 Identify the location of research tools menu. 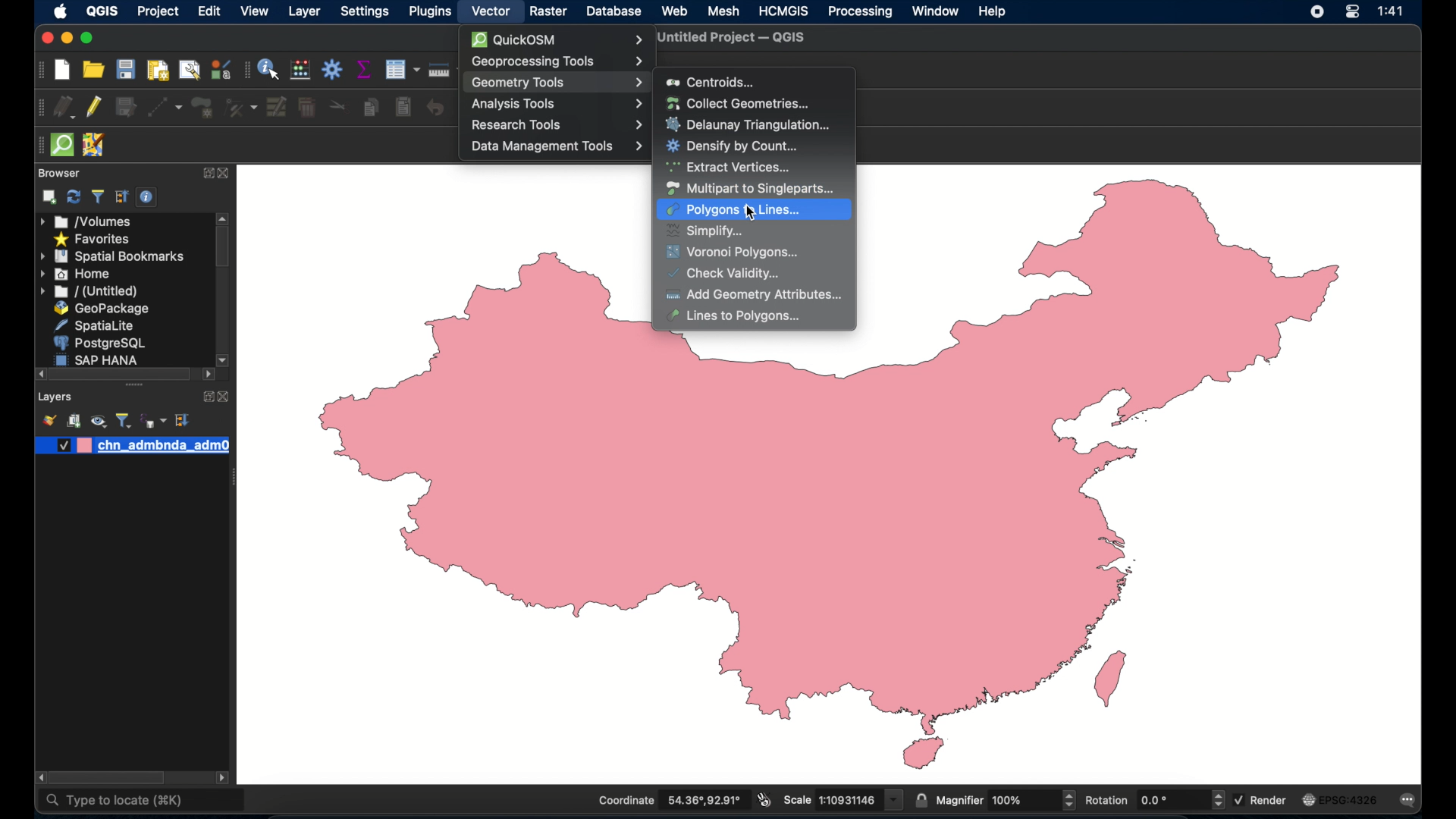
(556, 125).